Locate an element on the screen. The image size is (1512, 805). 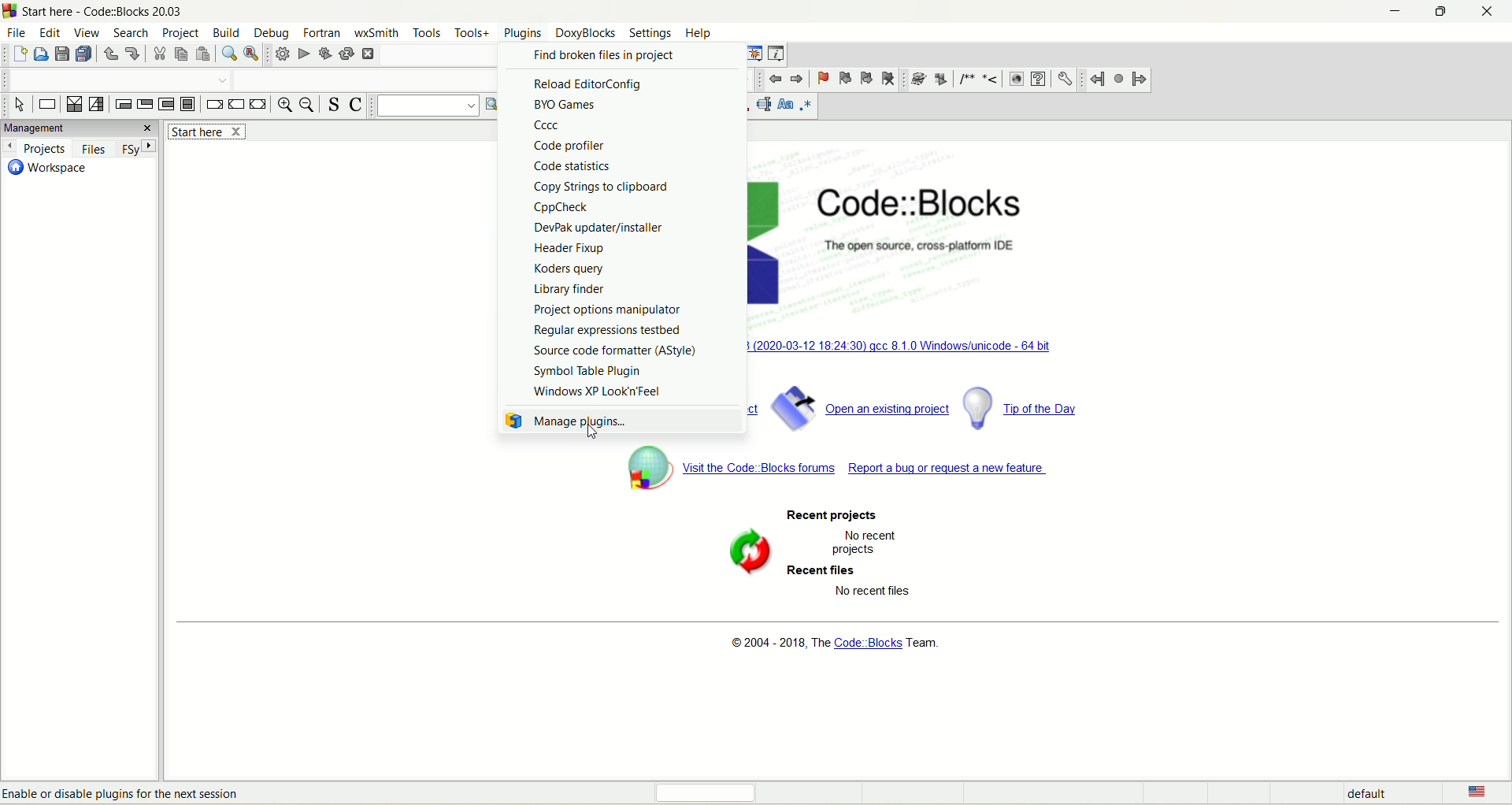
replace is located at coordinates (252, 54).